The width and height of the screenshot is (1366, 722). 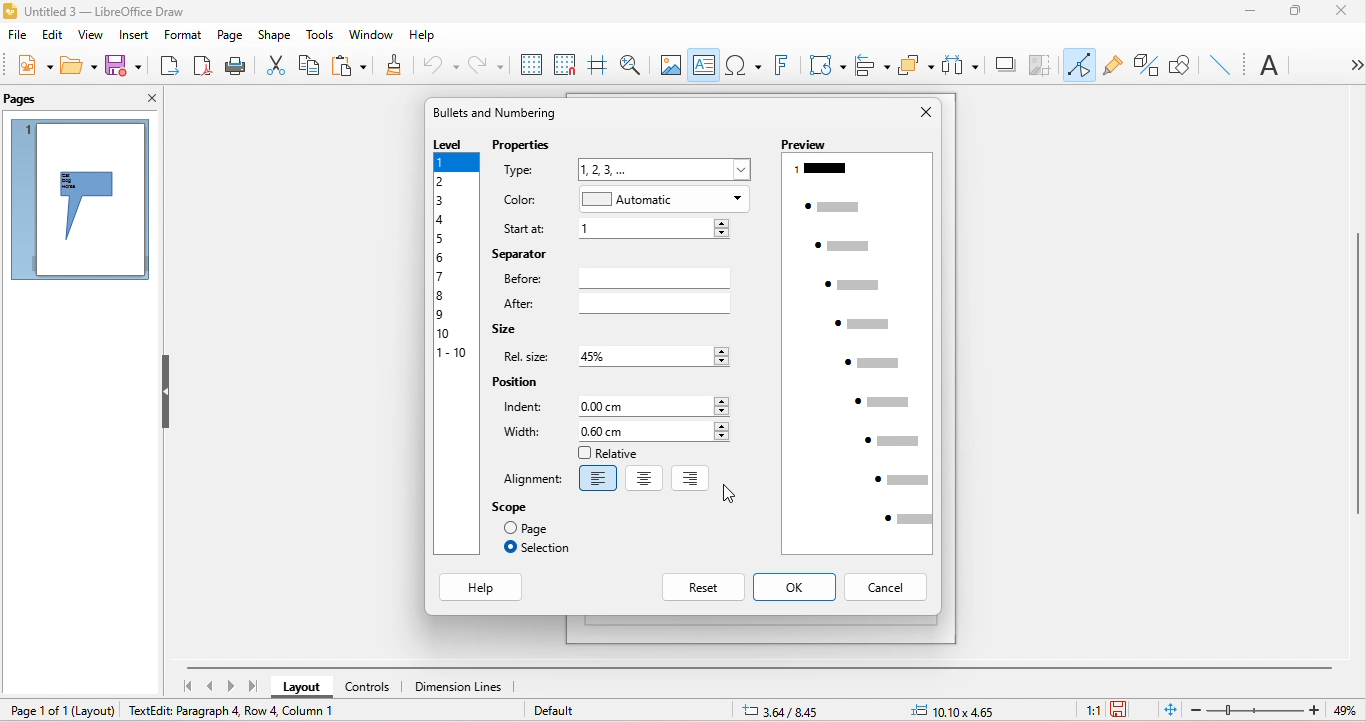 I want to click on 0.60 cm, so click(x=656, y=432).